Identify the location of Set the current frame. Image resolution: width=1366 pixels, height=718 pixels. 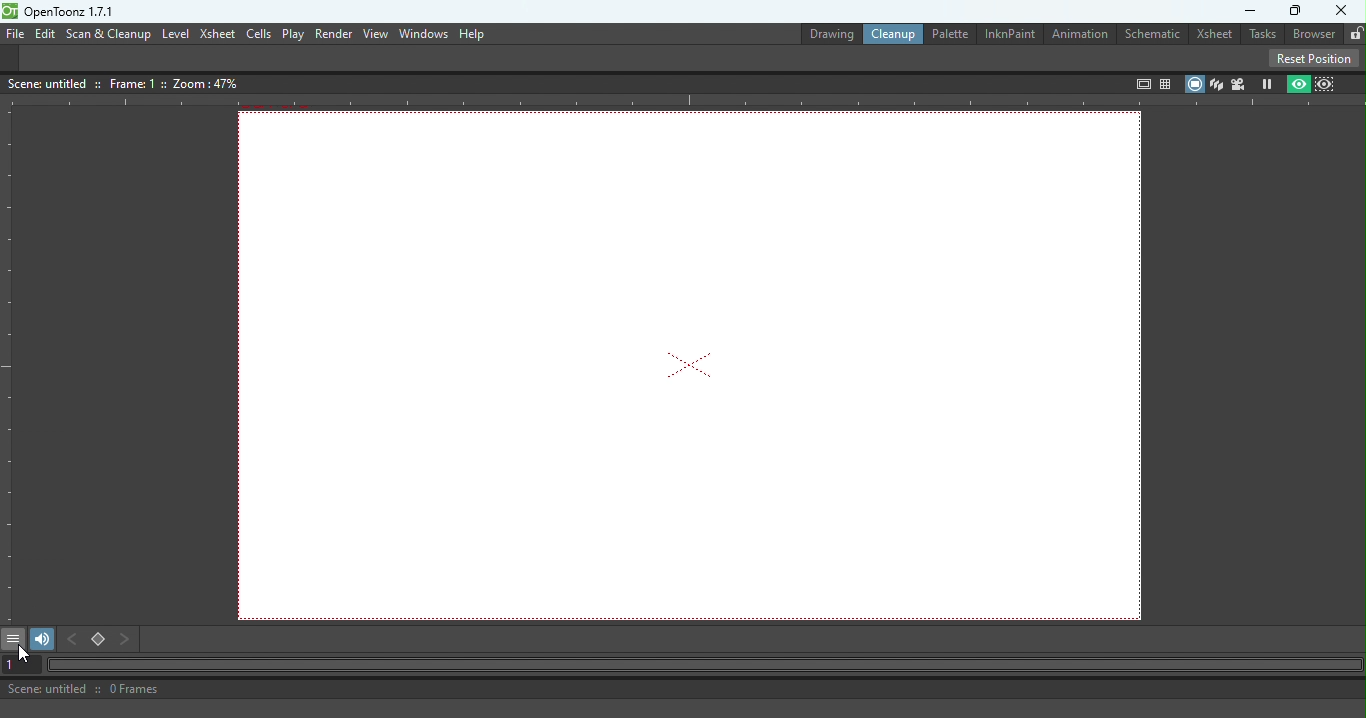
(18, 665).